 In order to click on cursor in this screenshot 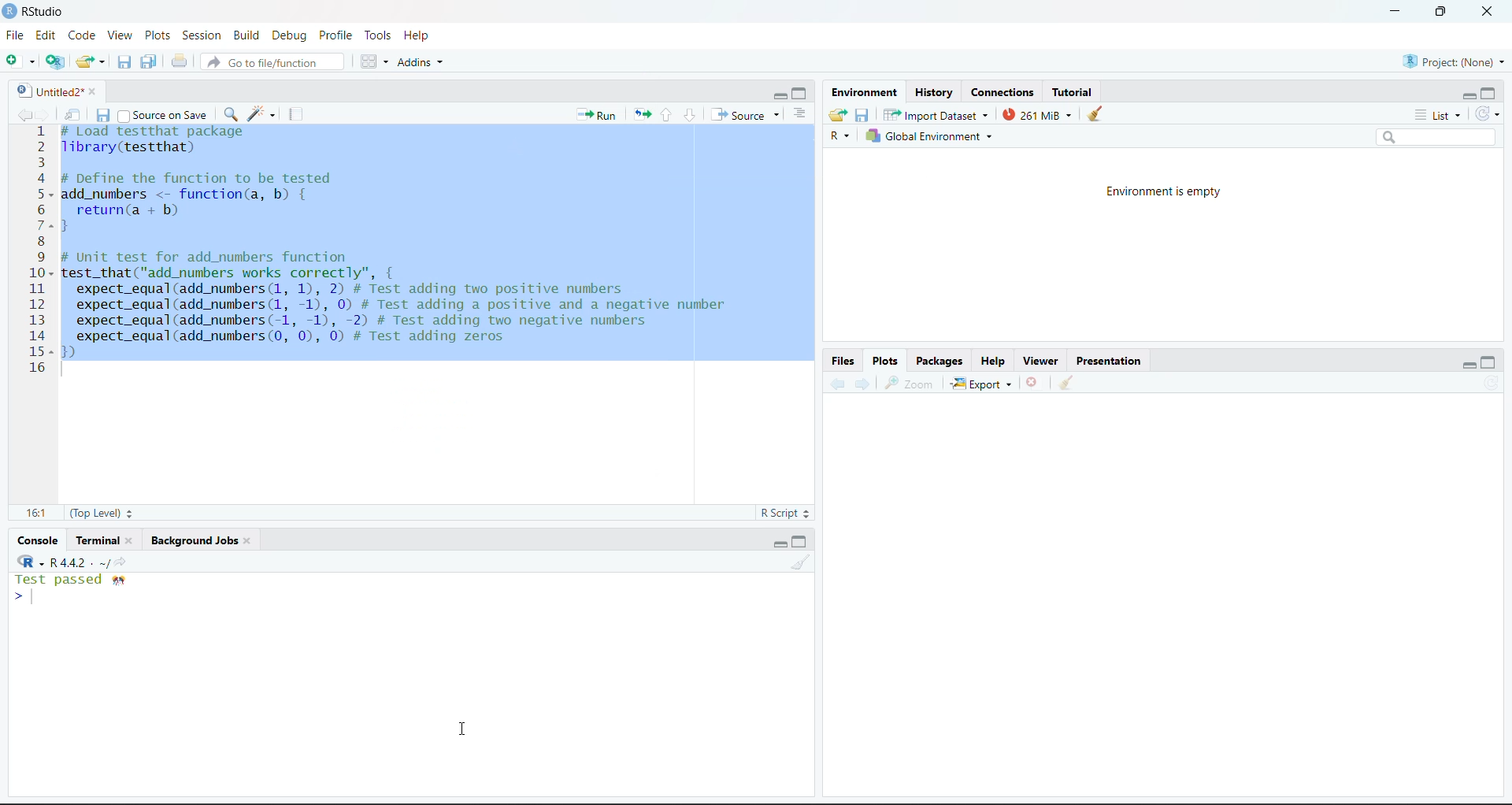, I will do `click(461, 729)`.